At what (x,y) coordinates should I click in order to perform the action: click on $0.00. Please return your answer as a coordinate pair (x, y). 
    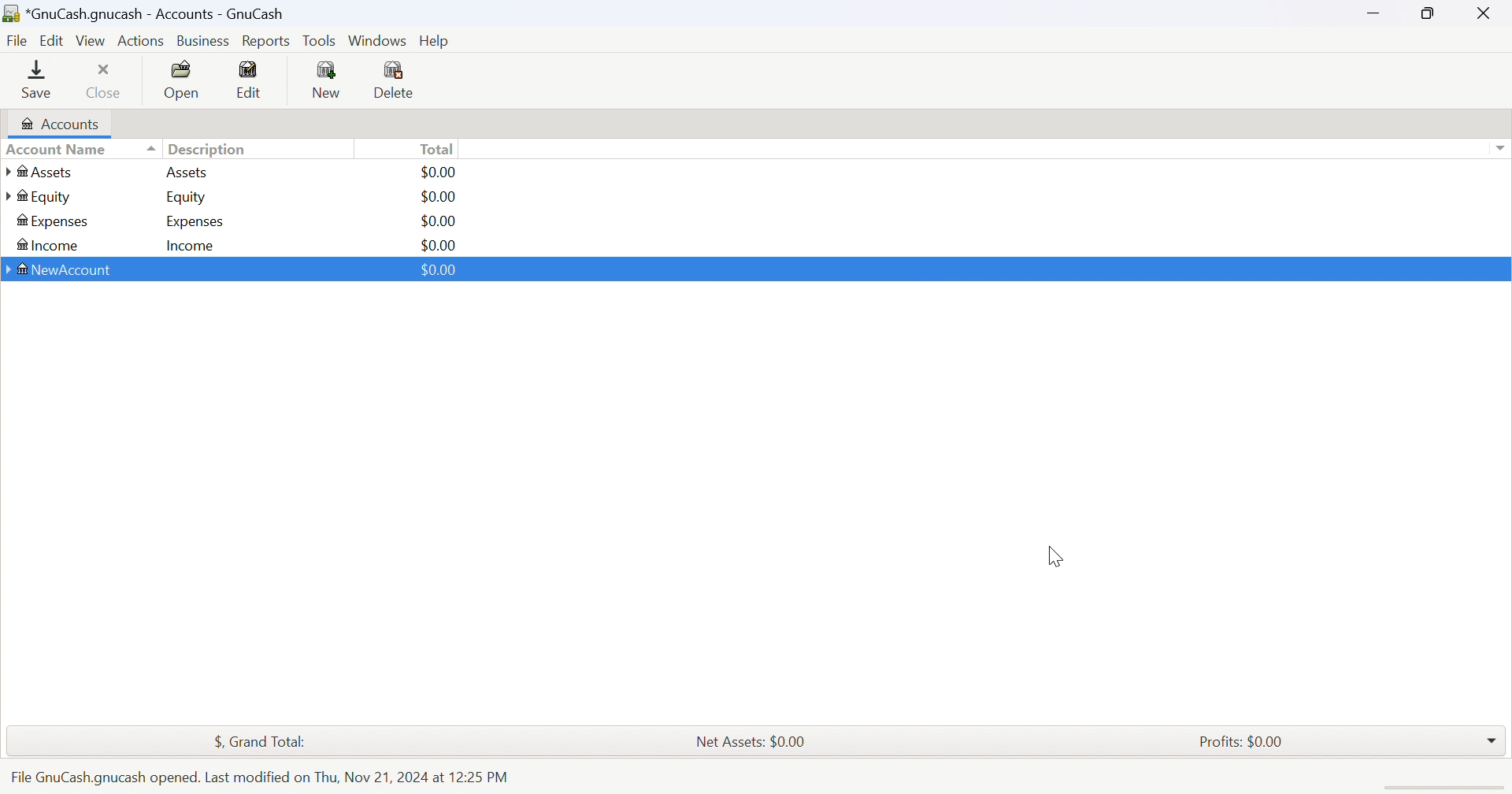
    Looking at the image, I should click on (437, 197).